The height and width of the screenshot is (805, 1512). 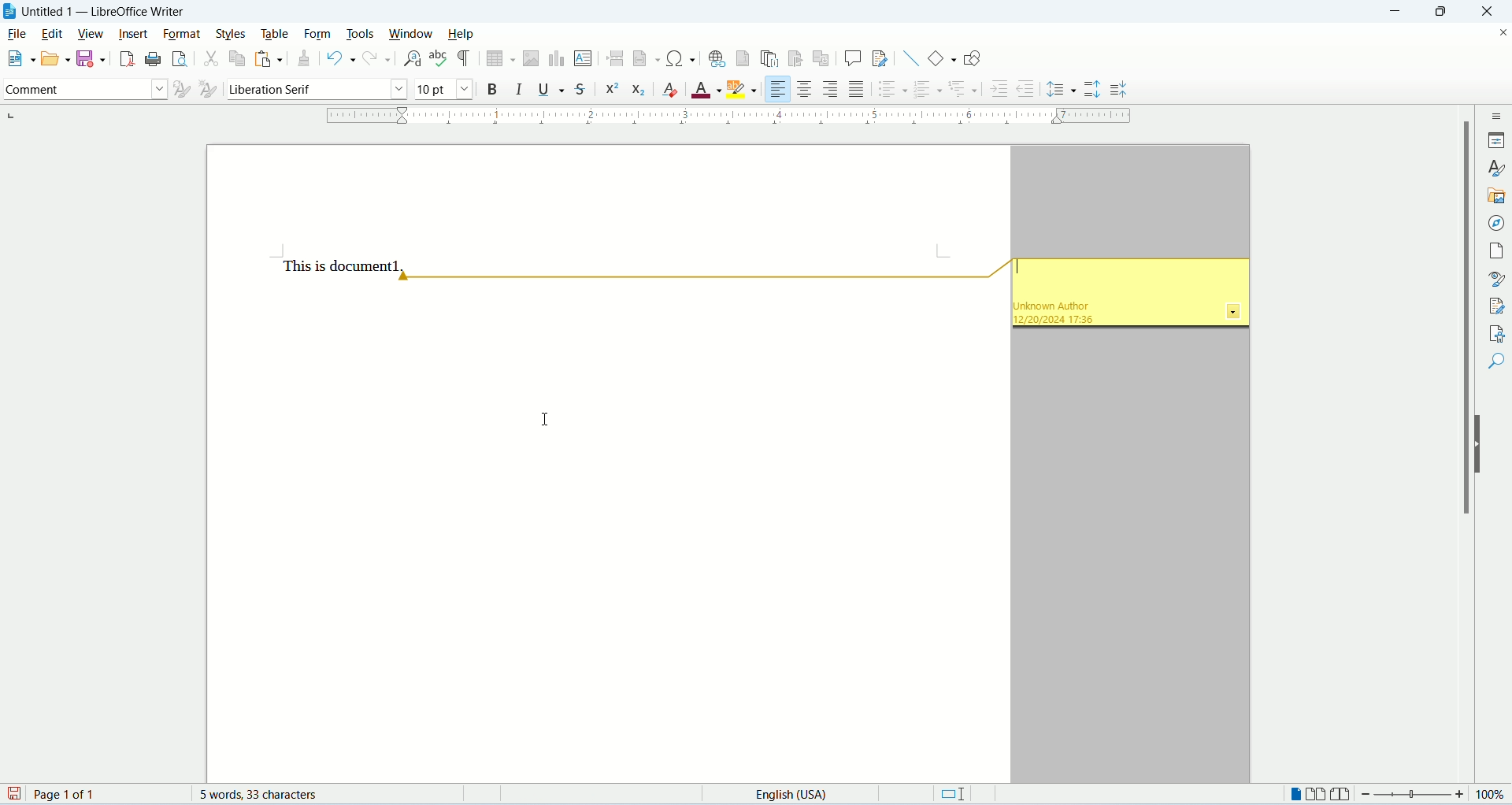 What do you see at coordinates (1494, 793) in the screenshot?
I see `zoom percent` at bounding box center [1494, 793].